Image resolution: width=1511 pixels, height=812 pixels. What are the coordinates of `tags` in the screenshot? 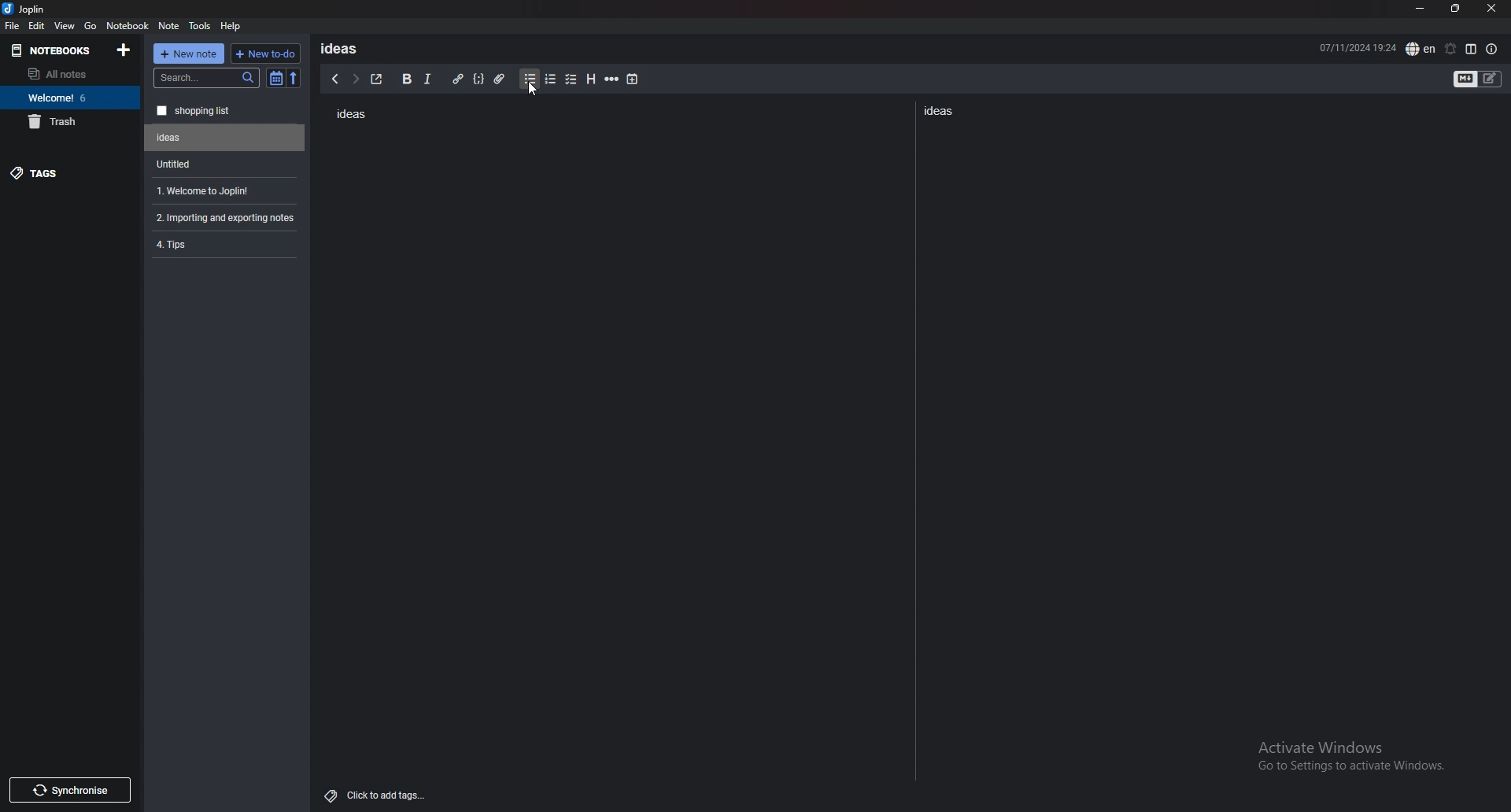 It's located at (71, 172).